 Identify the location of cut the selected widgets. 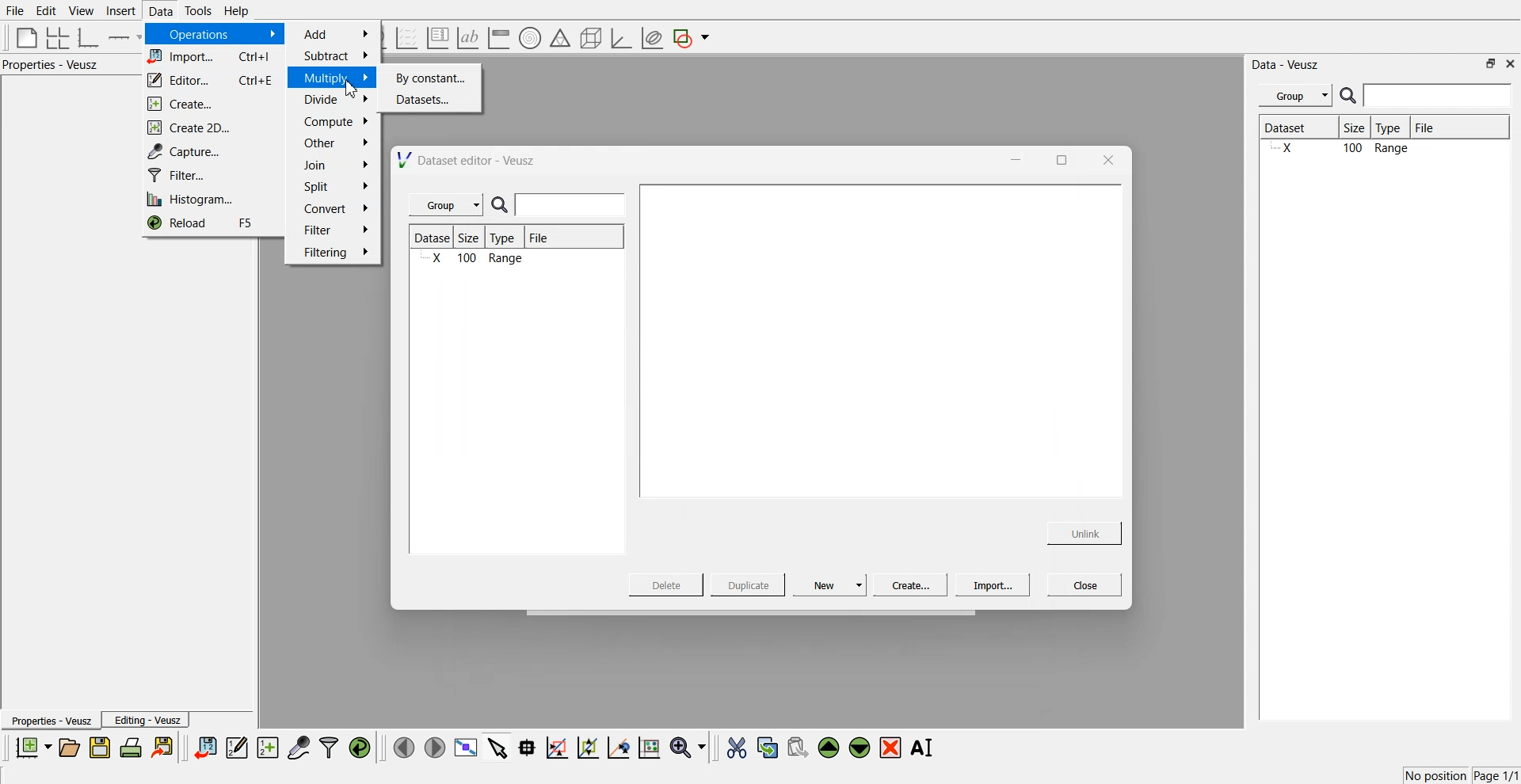
(735, 748).